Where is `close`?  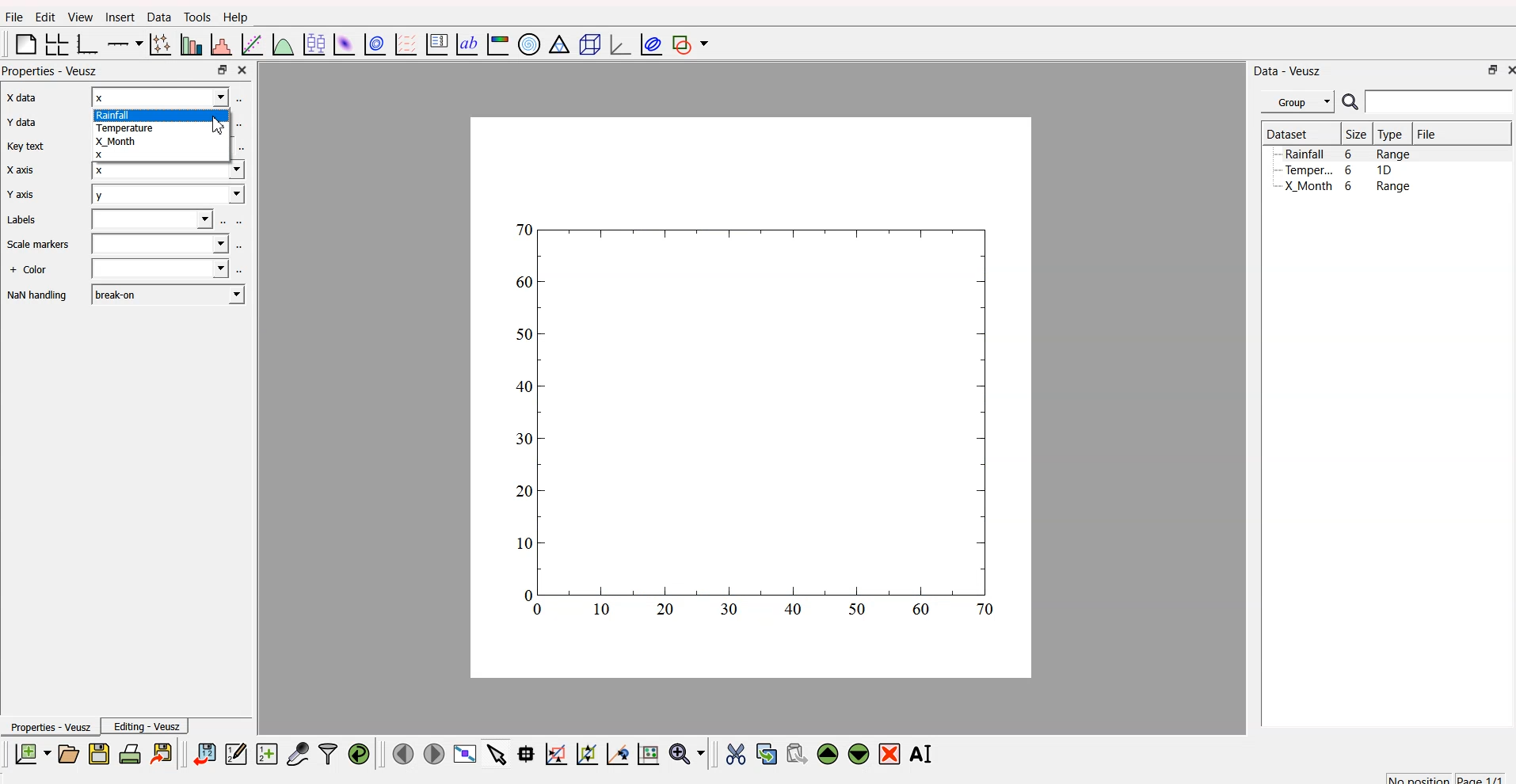
close is located at coordinates (245, 70).